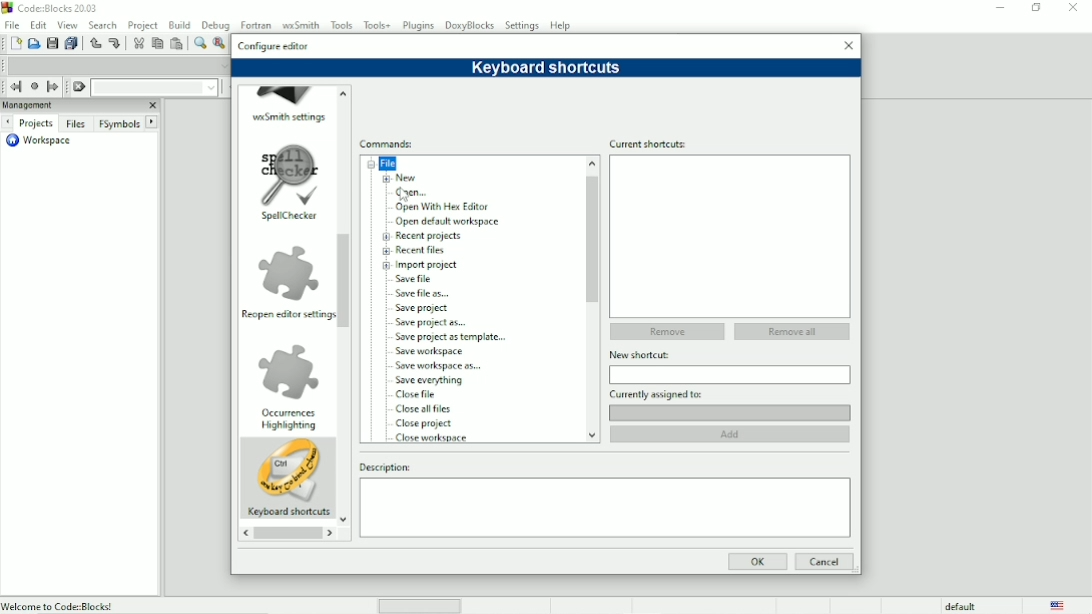  What do you see at coordinates (729, 412) in the screenshot?
I see `` at bounding box center [729, 412].